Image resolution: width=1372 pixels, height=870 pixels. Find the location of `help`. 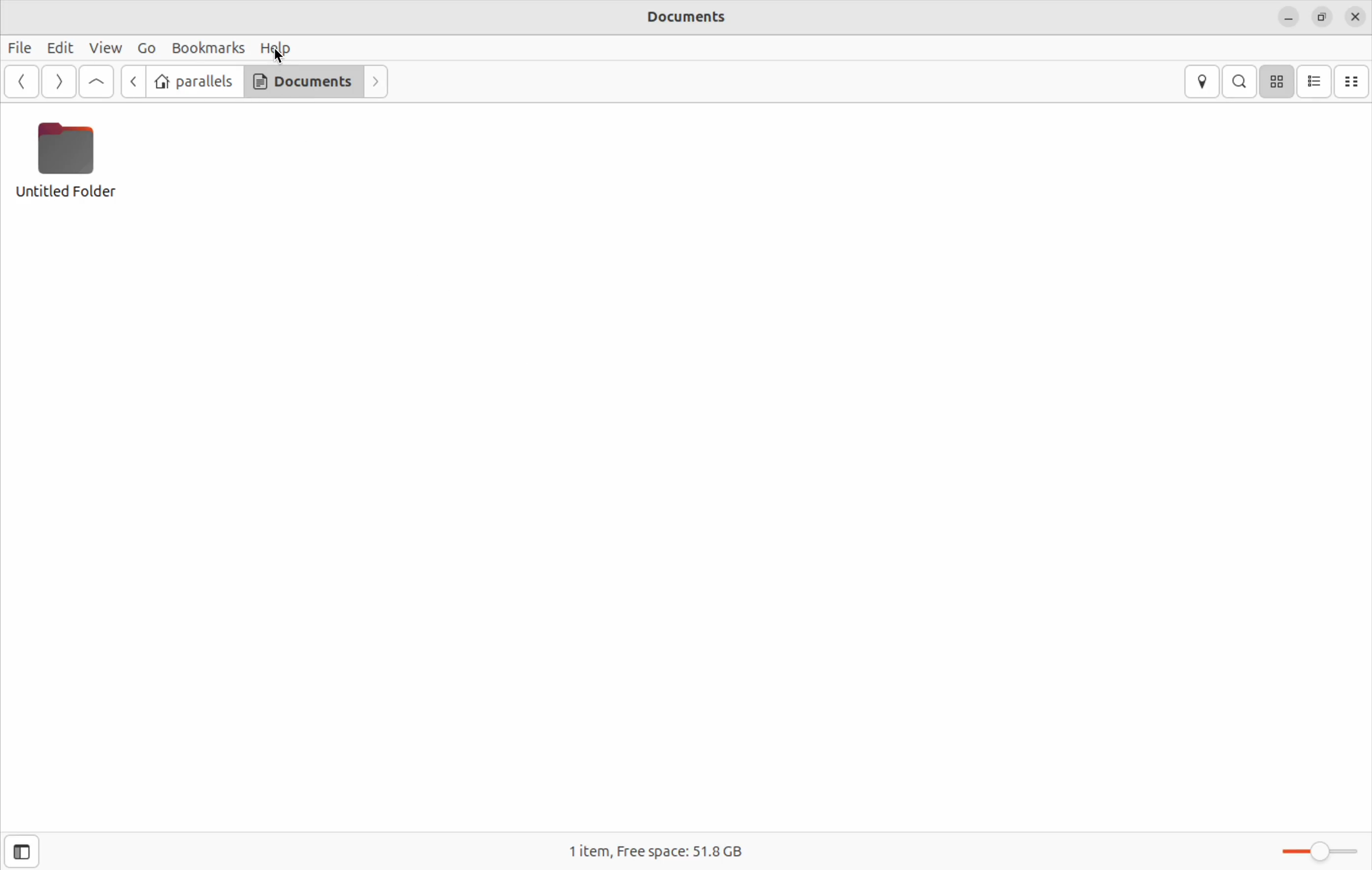

help is located at coordinates (279, 48).